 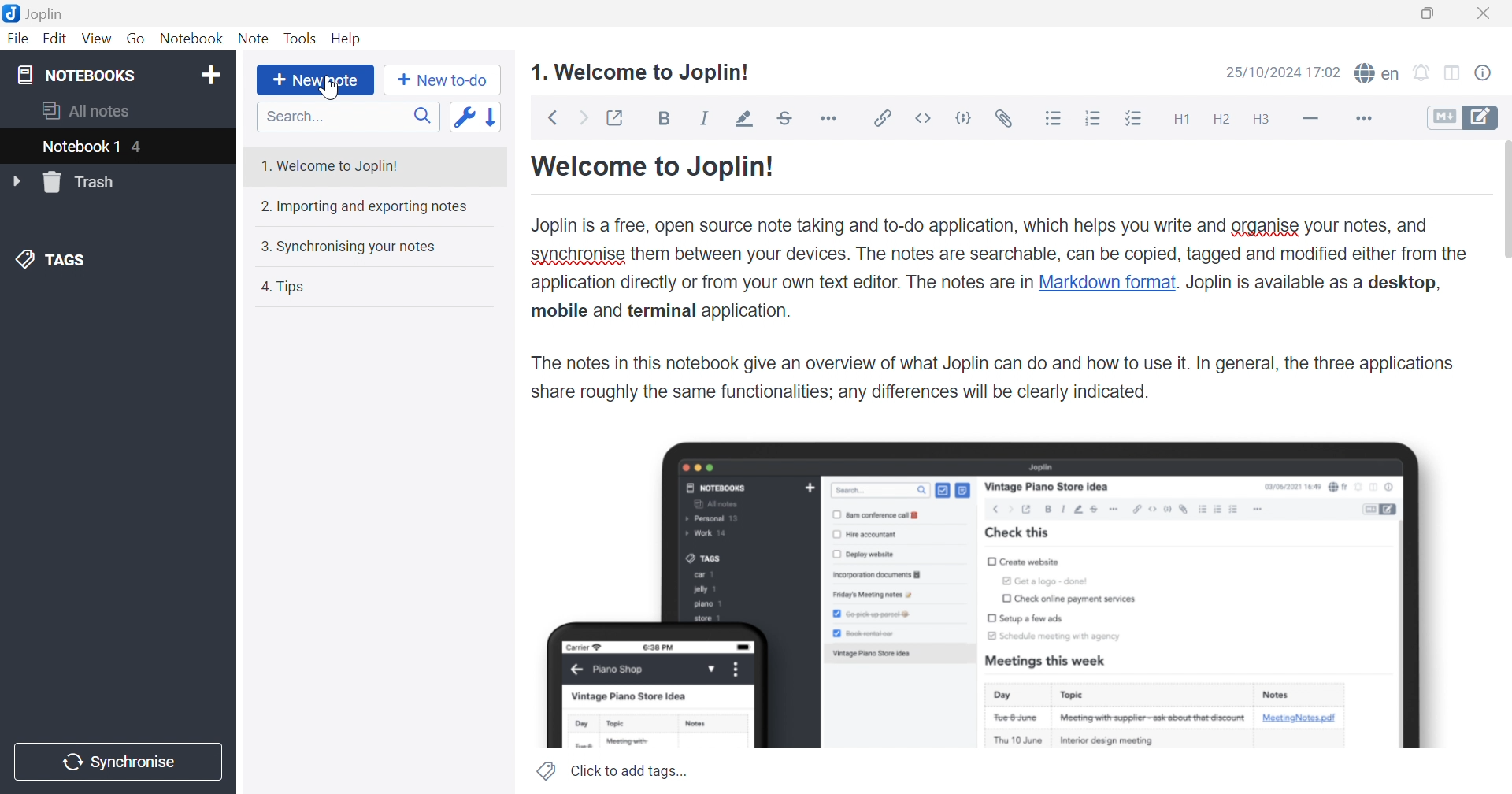 What do you see at coordinates (1136, 119) in the screenshot?
I see `Checkbox list` at bounding box center [1136, 119].